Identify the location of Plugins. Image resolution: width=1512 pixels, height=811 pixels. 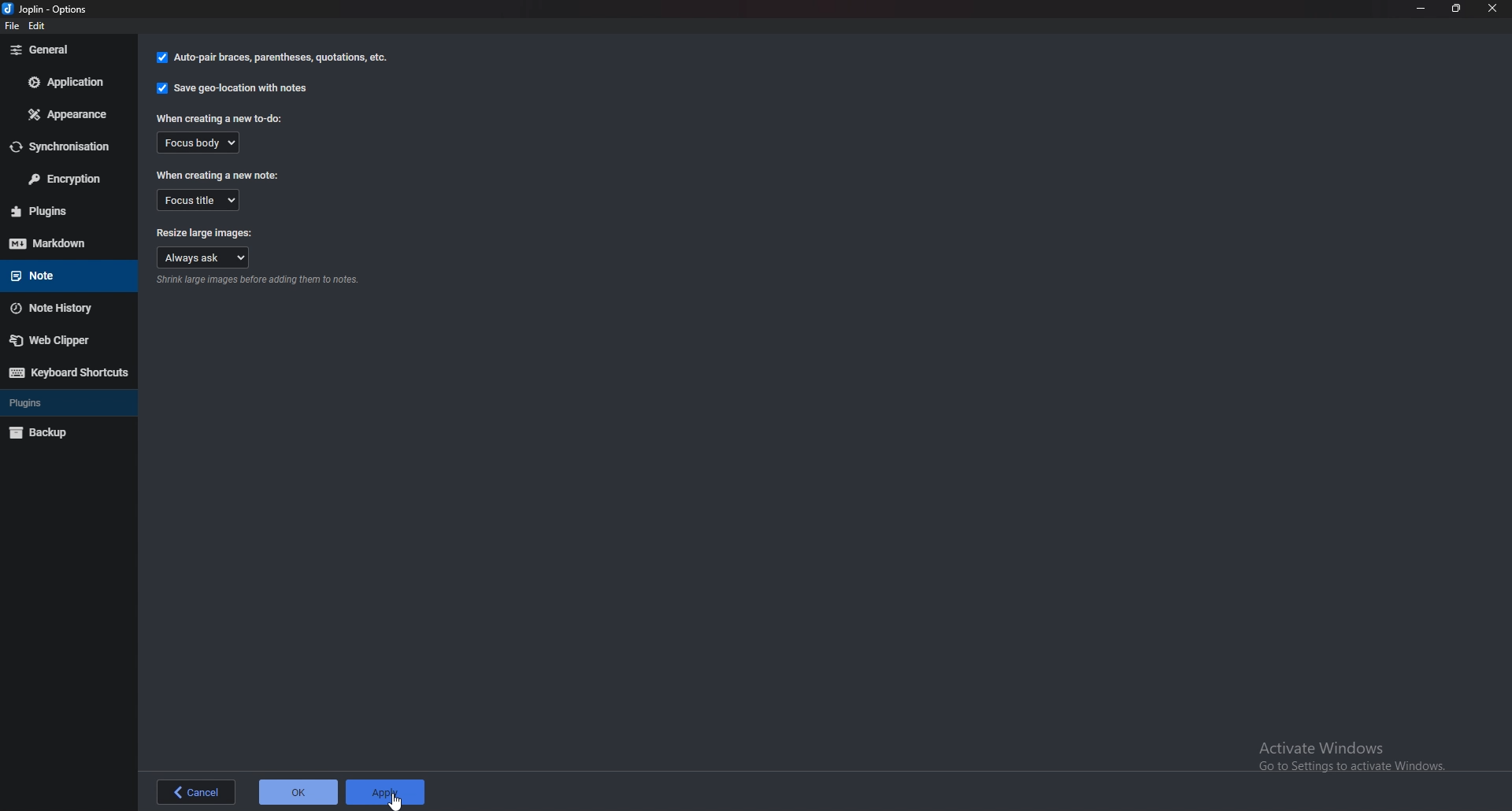
(56, 403).